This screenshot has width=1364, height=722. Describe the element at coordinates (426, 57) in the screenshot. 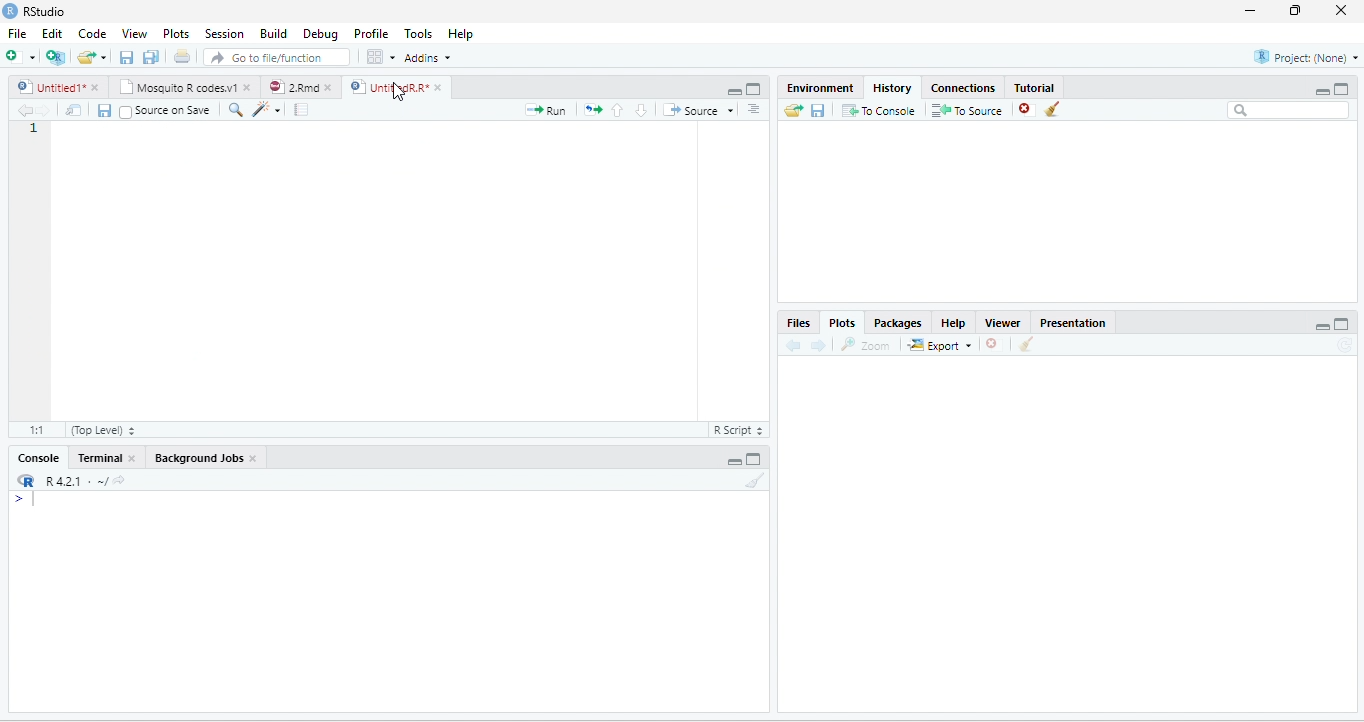

I see `Addins` at that location.